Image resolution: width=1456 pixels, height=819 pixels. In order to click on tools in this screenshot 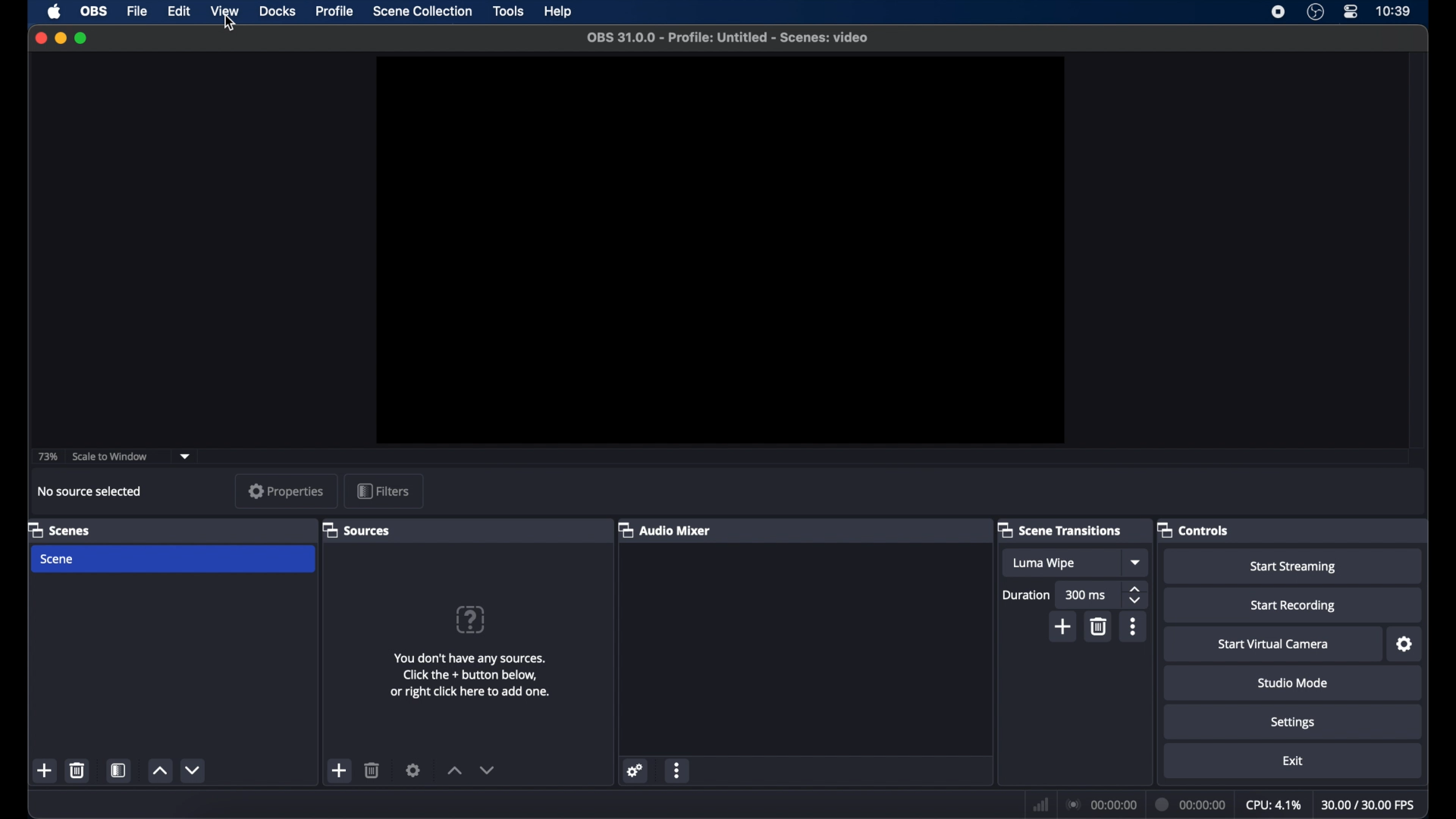, I will do `click(509, 11)`.